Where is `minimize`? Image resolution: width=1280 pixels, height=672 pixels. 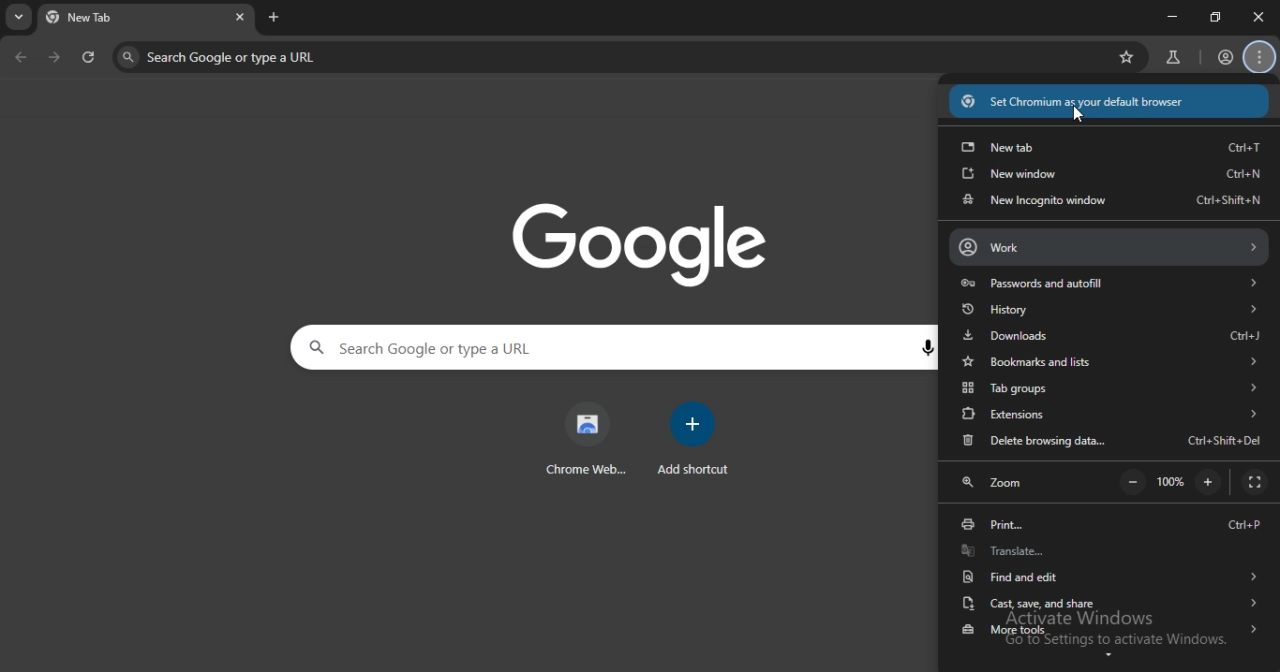
minimize is located at coordinates (1173, 16).